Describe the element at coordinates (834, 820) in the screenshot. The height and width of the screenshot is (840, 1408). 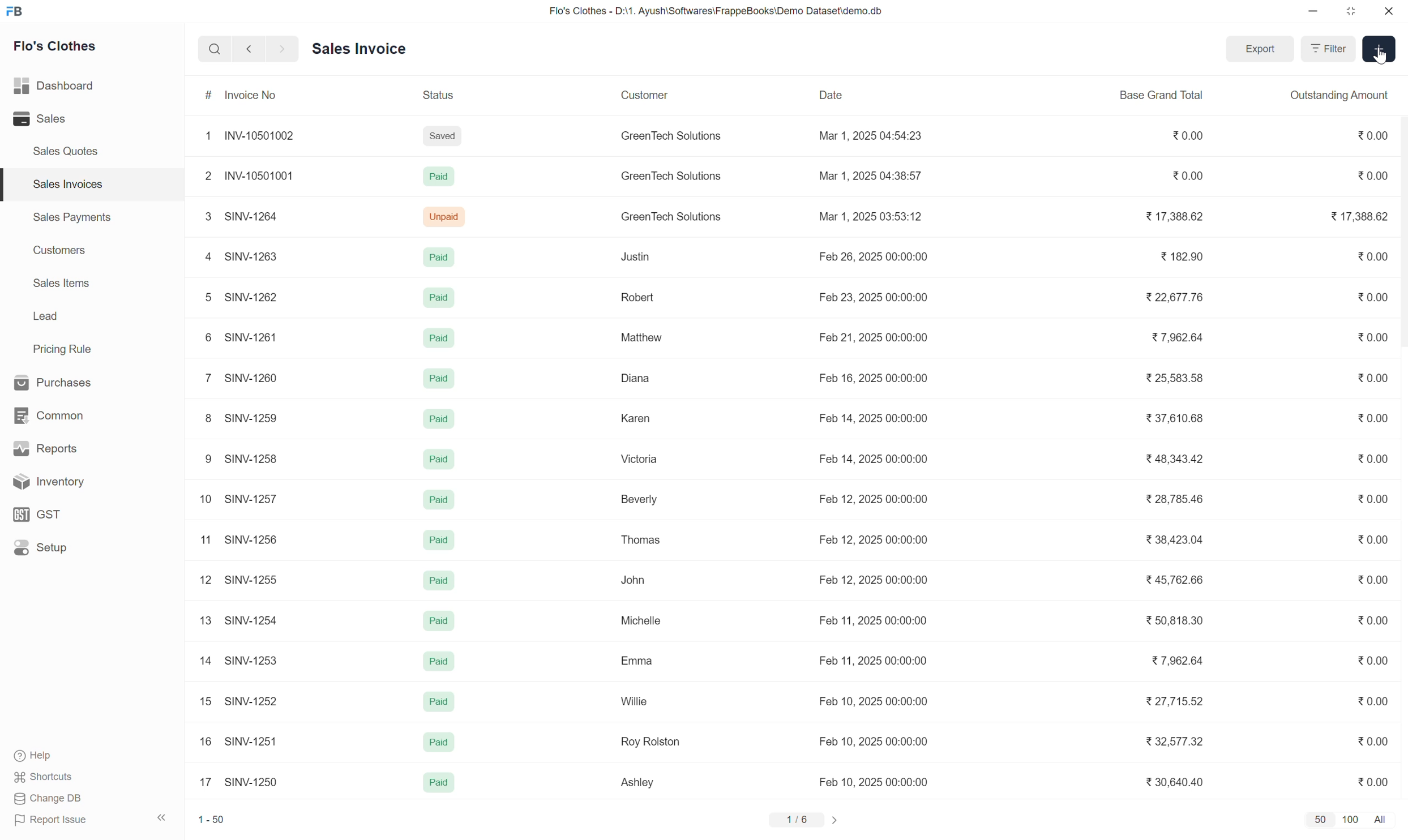
I see `go to next page` at that location.